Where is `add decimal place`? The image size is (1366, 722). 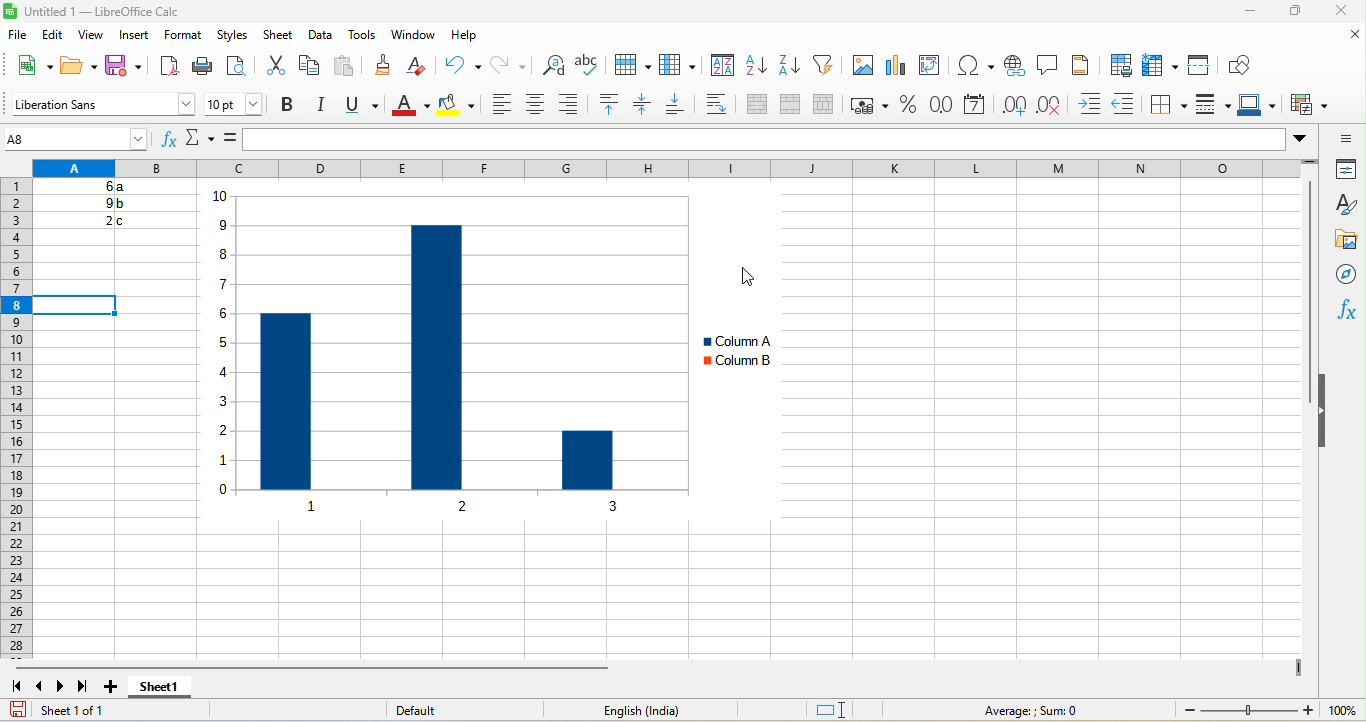 add decimal place is located at coordinates (1016, 105).